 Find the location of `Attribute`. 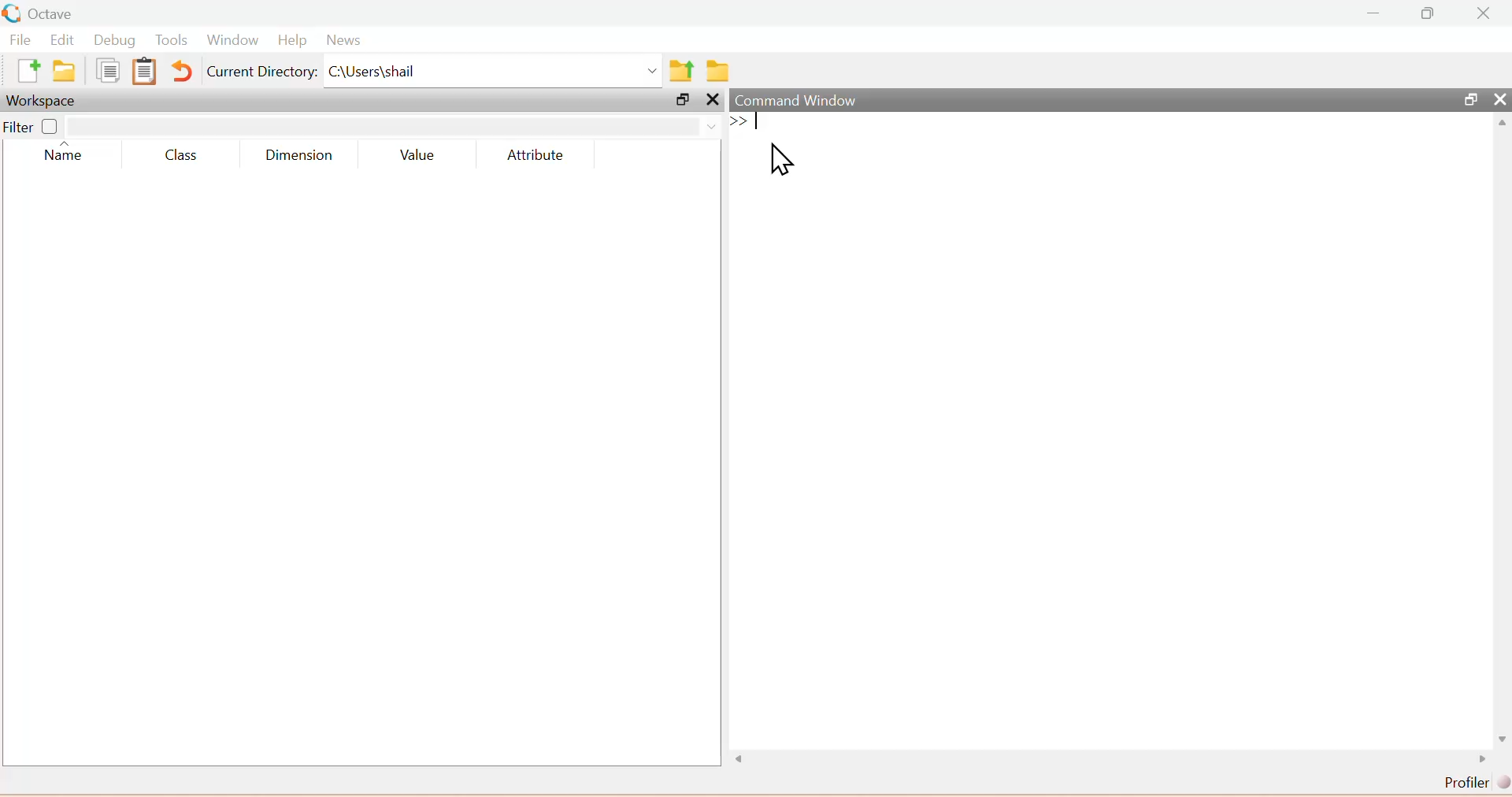

Attribute is located at coordinates (532, 156).